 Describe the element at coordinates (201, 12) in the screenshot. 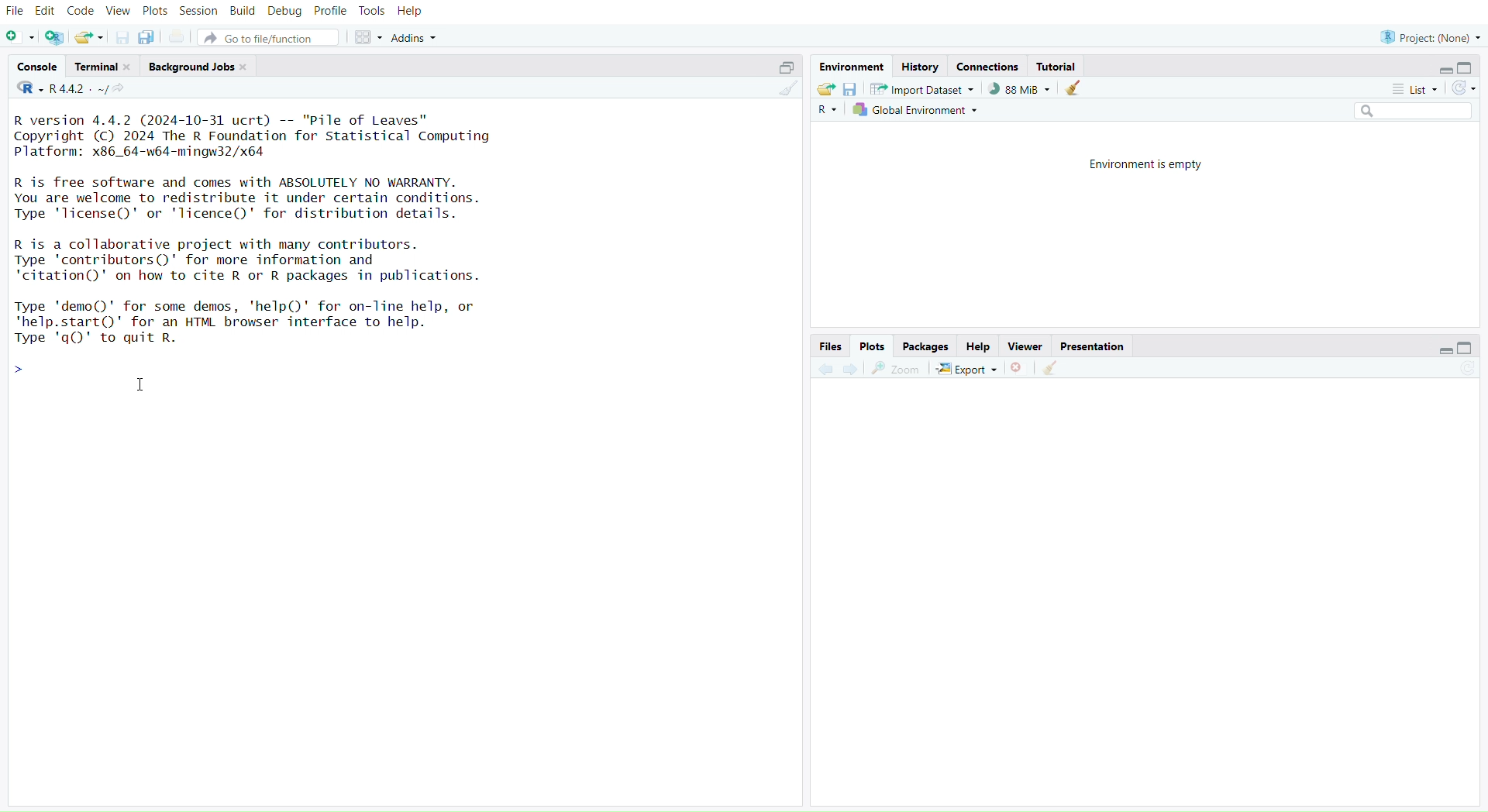

I see `session` at that location.